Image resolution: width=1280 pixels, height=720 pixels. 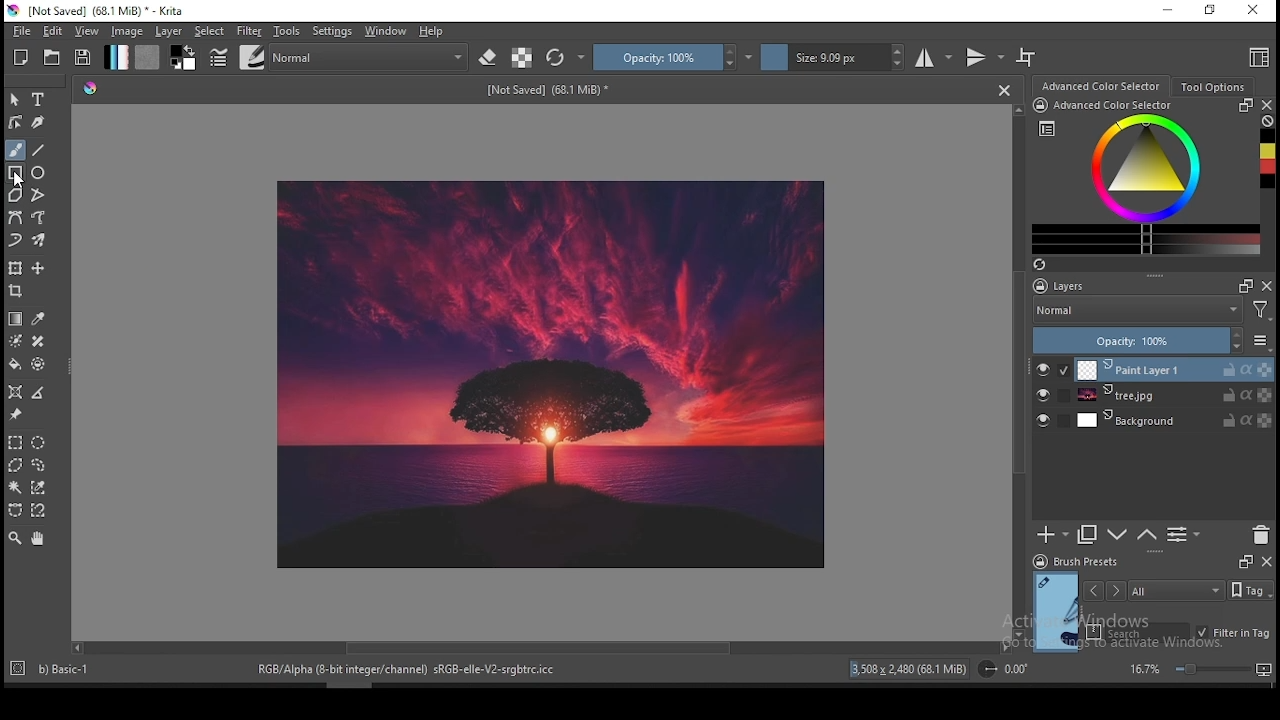 What do you see at coordinates (148, 58) in the screenshot?
I see `pattern fill` at bounding box center [148, 58].